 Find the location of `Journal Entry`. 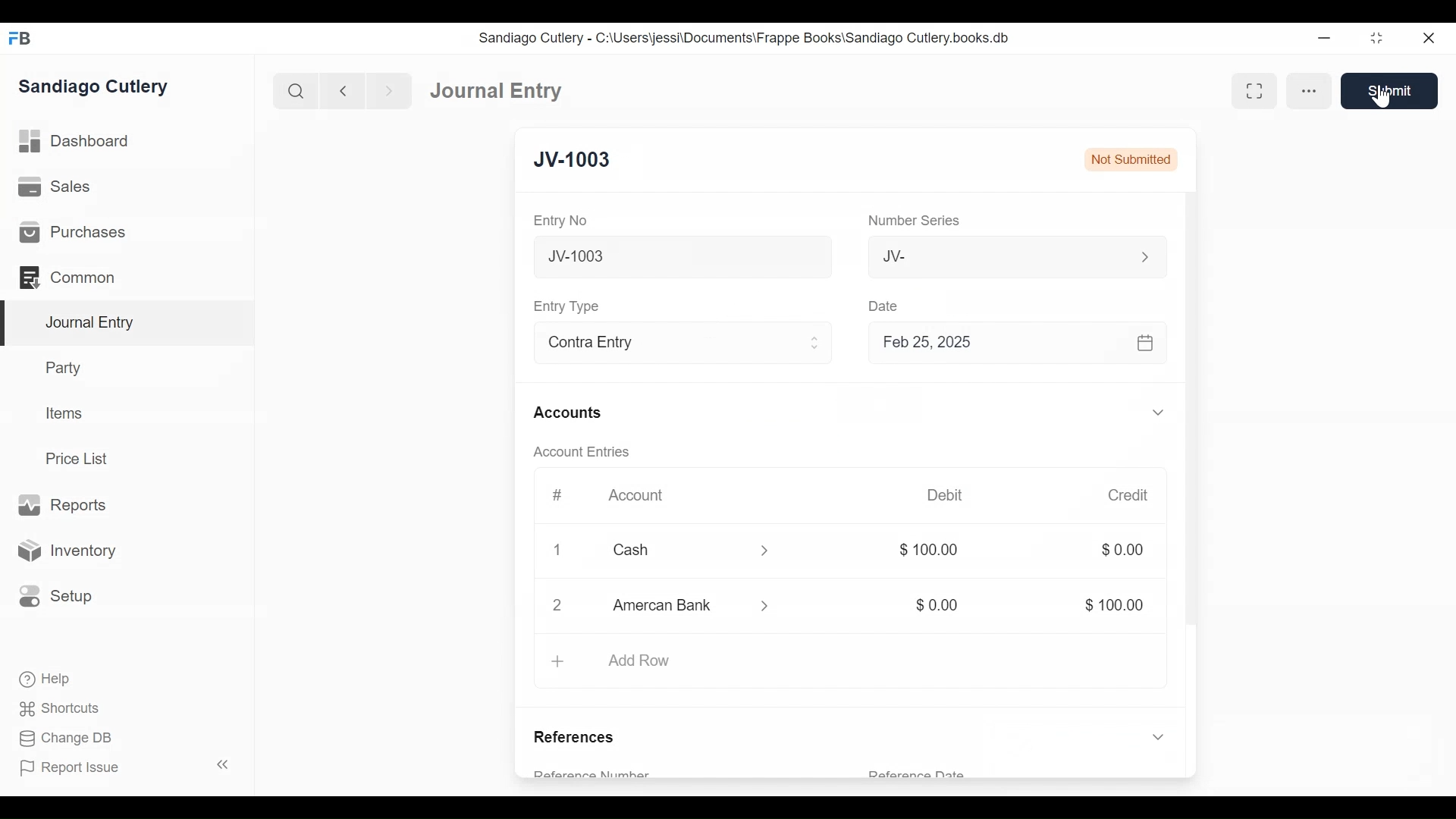

Journal Entry is located at coordinates (499, 92).